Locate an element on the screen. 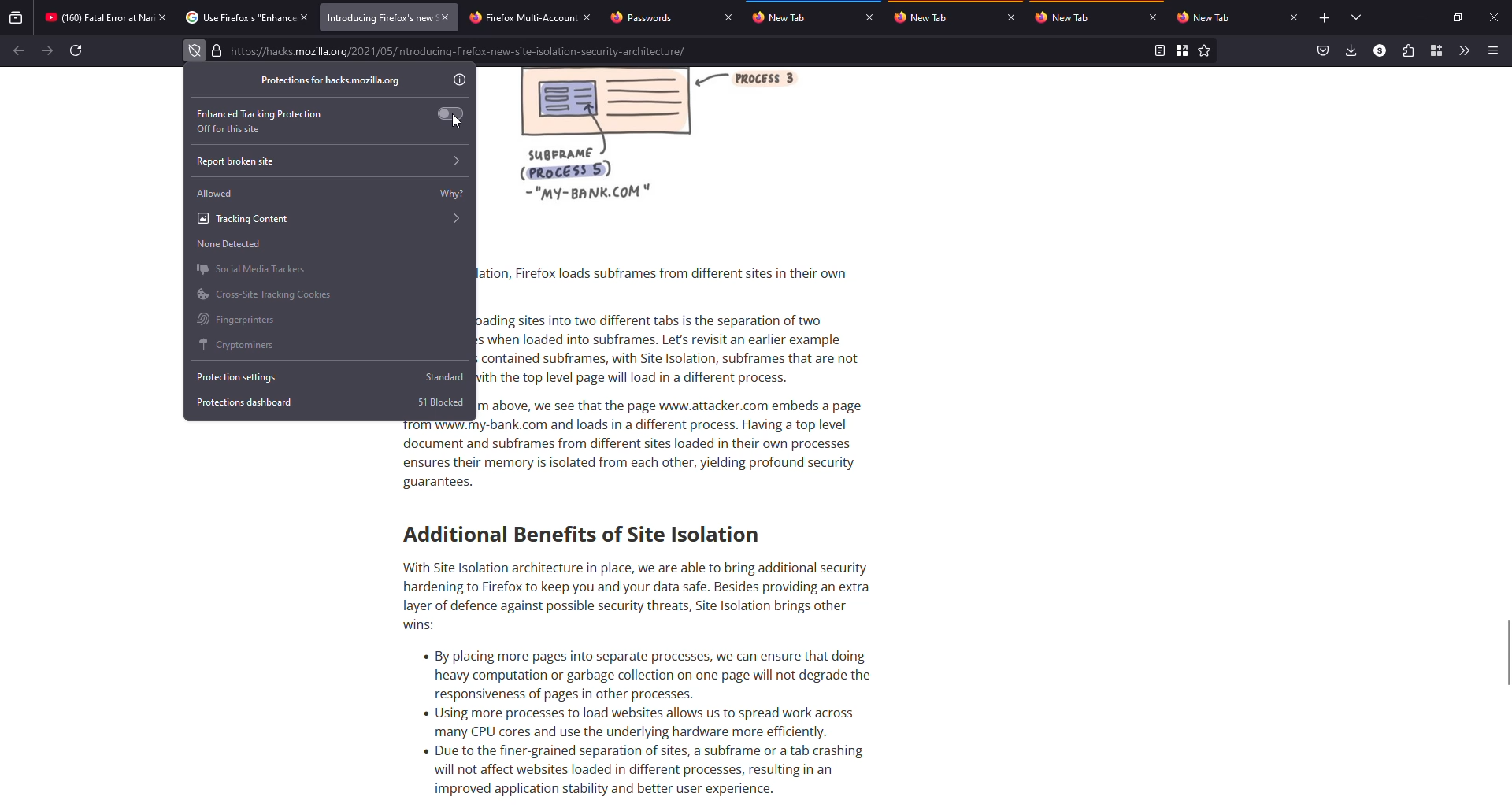 This screenshot has width=1512, height=811. enhanced tracking protection is located at coordinates (260, 113).